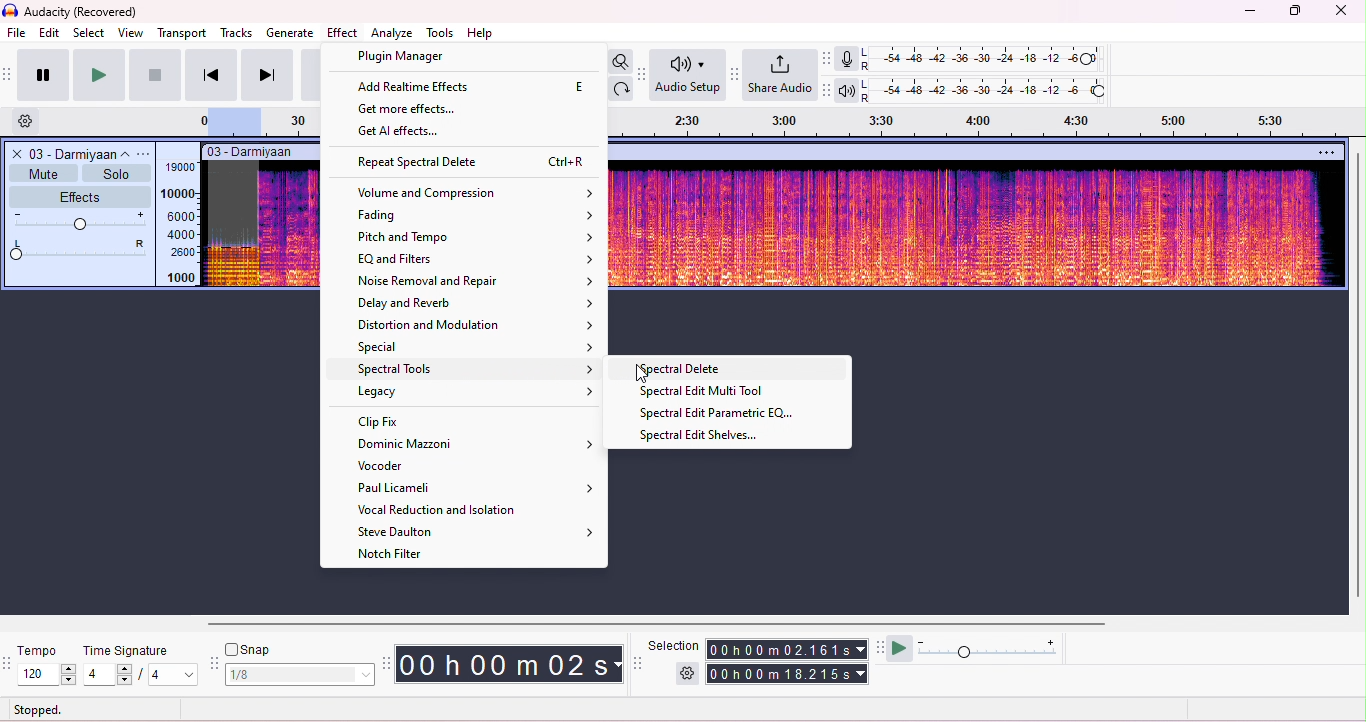  What do you see at coordinates (704, 392) in the screenshot?
I see `spectral edit muti tool` at bounding box center [704, 392].